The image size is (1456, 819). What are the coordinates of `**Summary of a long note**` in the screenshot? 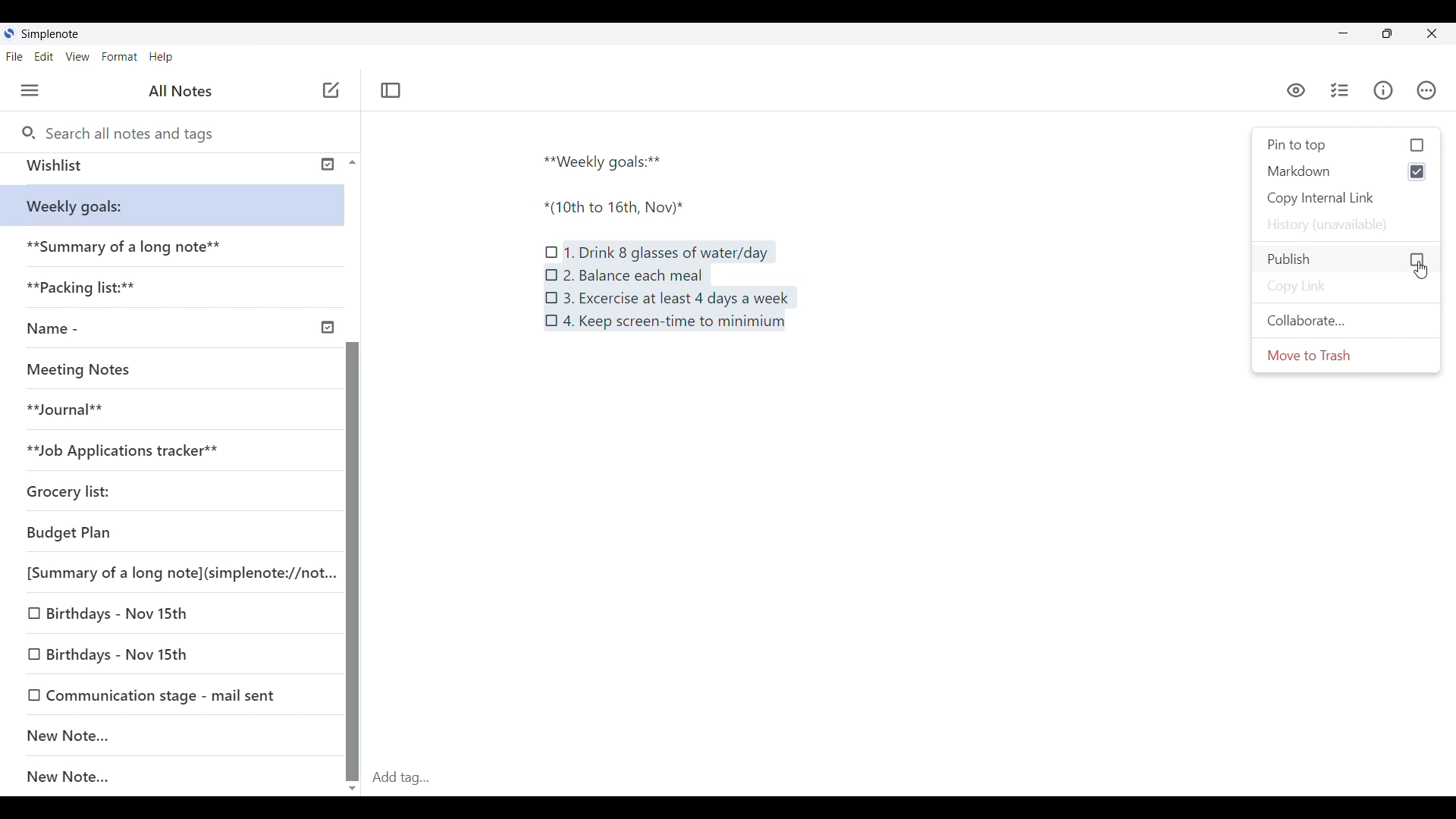 It's located at (128, 249).